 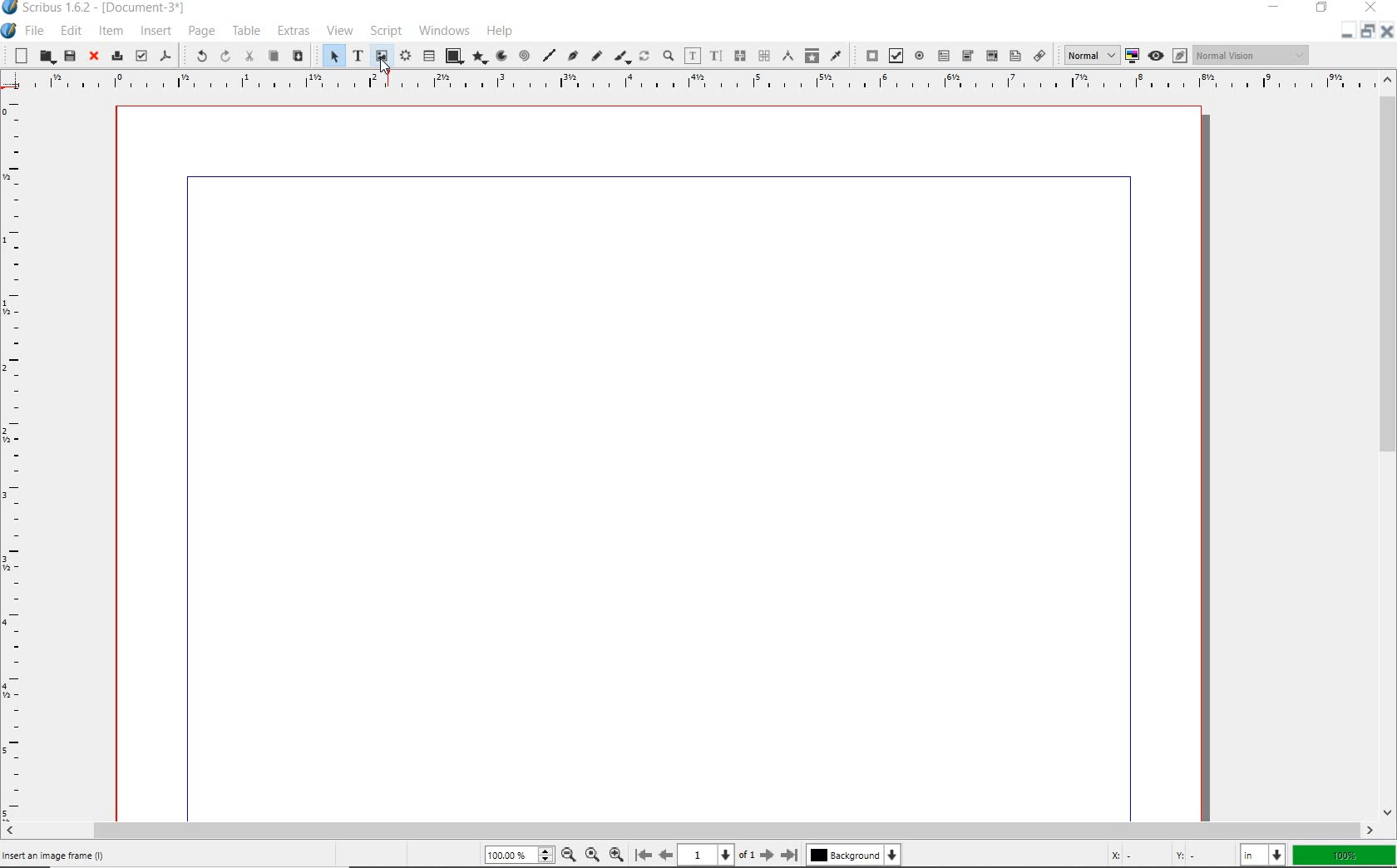 I want to click on pdf text field, so click(x=945, y=57).